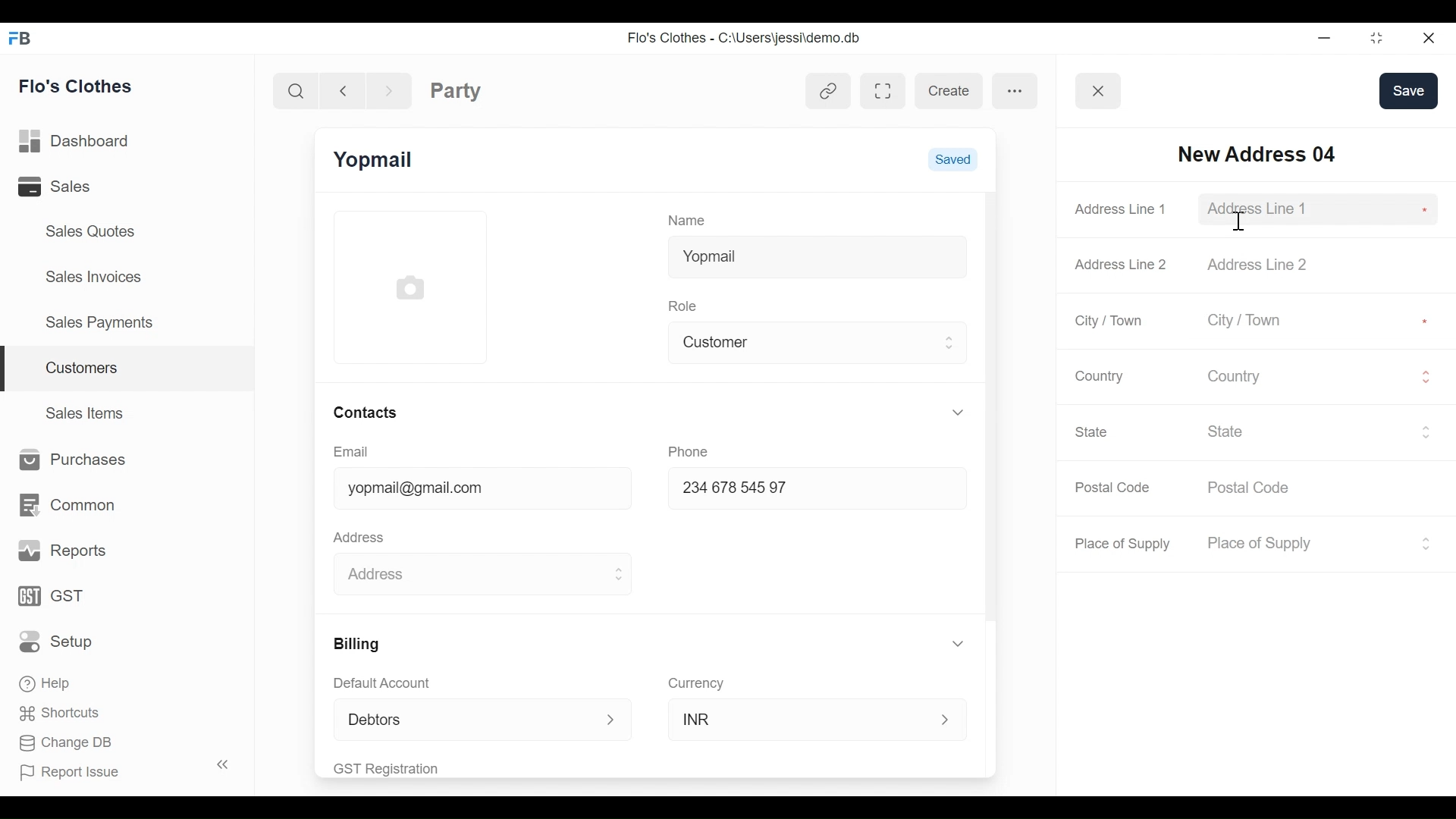 The height and width of the screenshot is (819, 1456). What do you see at coordinates (1125, 544) in the screenshot?
I see `Place of Supply` at bounding box center [1125, 544].